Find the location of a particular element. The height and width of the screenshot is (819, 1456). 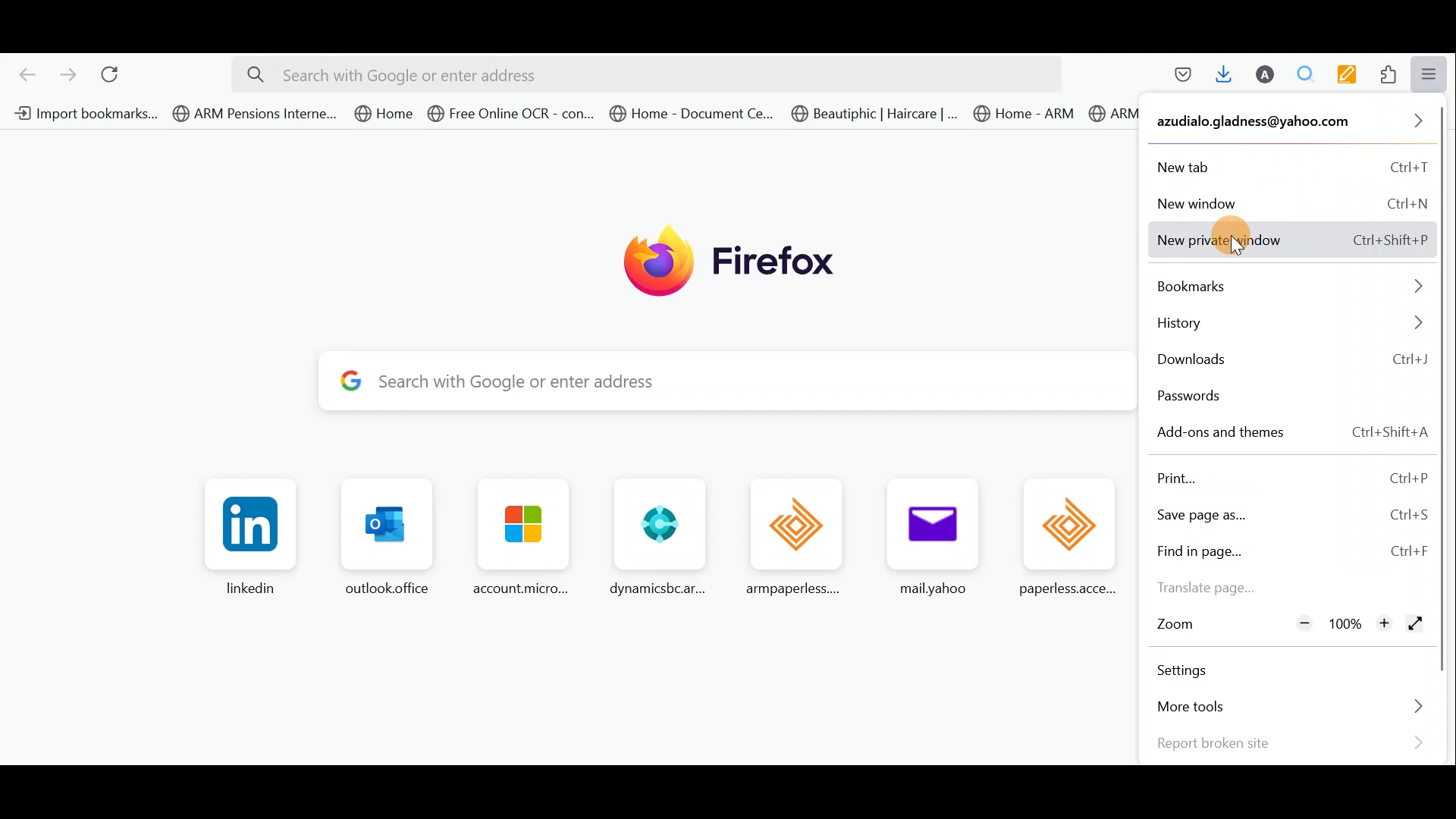

More tools is located at coordinates (1285, 708).